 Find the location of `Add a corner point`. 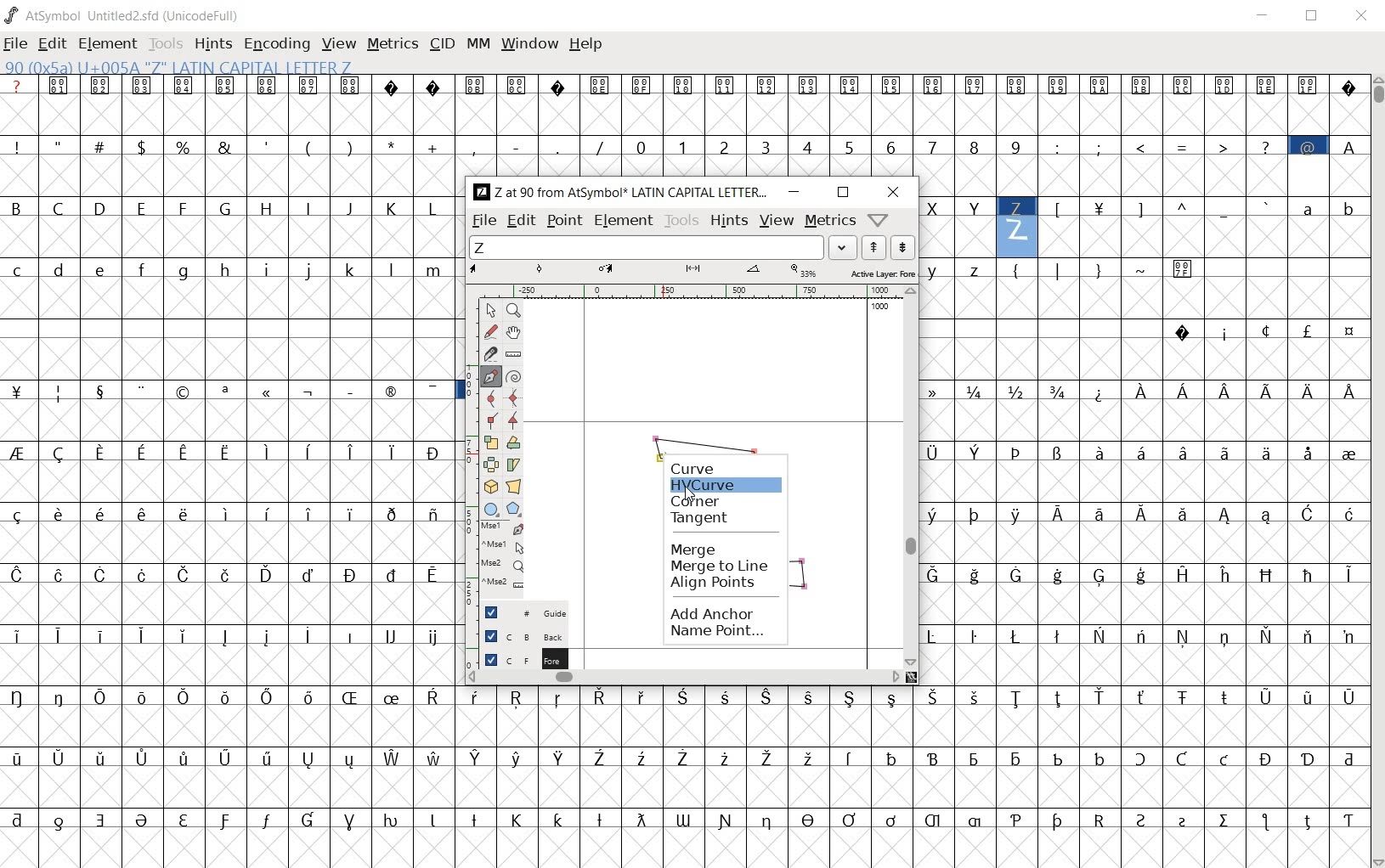

Add a corner point is located at coordinates (512, 420).